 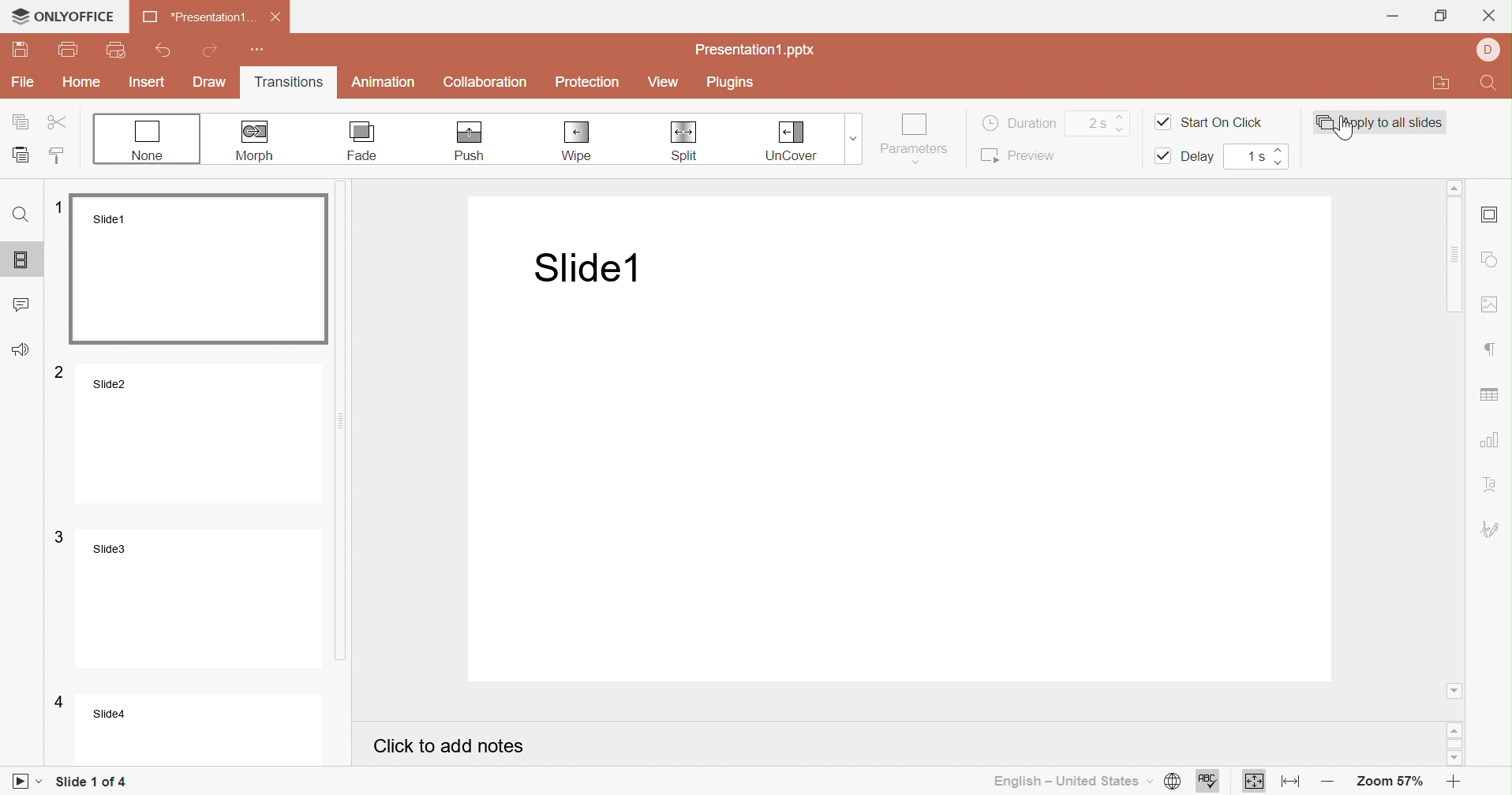 I want to click on Slide 1 of 4, so click(x=93, y=781).